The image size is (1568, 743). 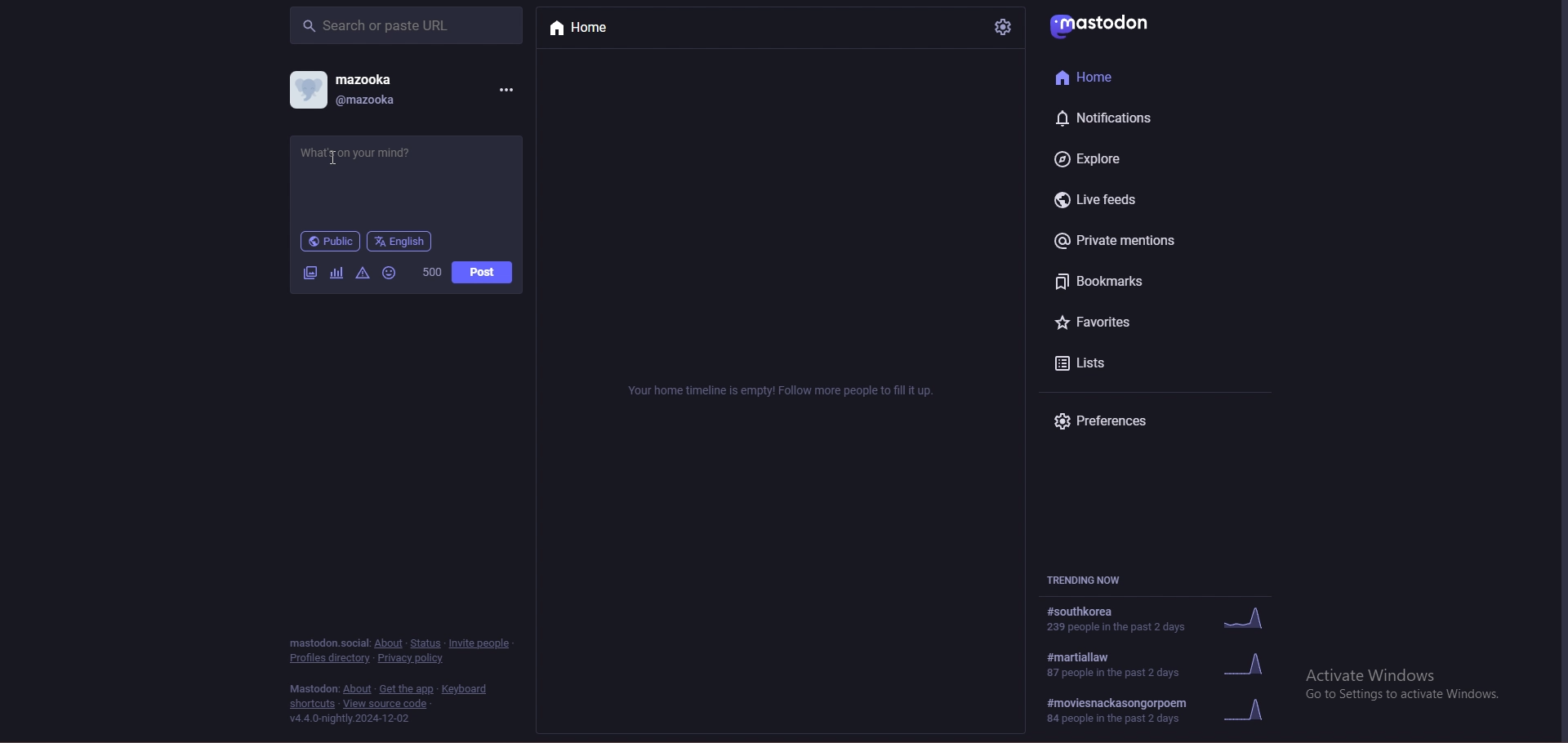 What do you see at coordinates (329, 659) in the screenshot?
I see `profiles directory` at bounding box center [329, 659].